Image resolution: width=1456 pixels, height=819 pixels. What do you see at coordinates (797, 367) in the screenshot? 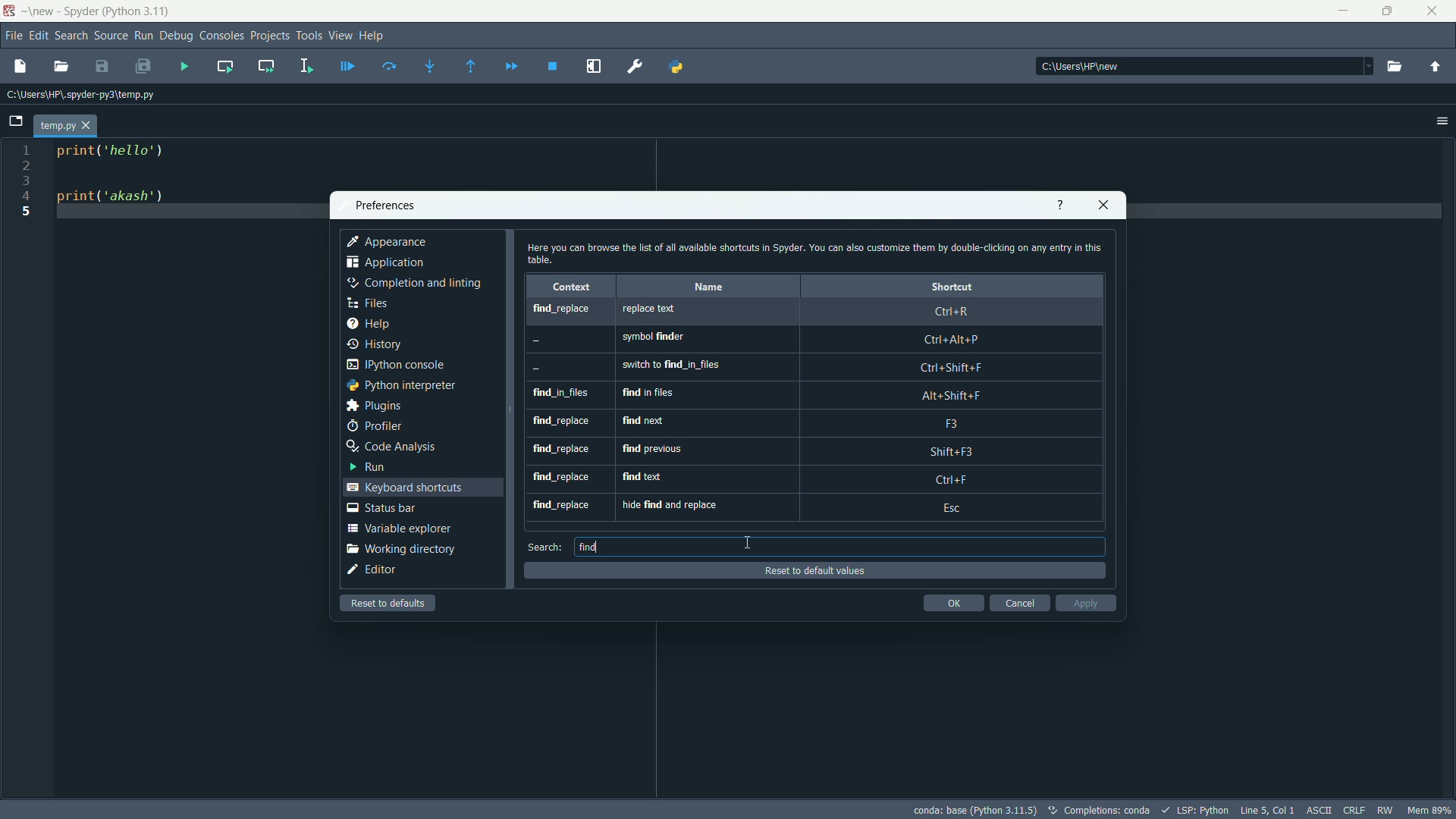
I see `-, switch to find_in_files, ctrl+shift+f` at bounding box center [797, 367].